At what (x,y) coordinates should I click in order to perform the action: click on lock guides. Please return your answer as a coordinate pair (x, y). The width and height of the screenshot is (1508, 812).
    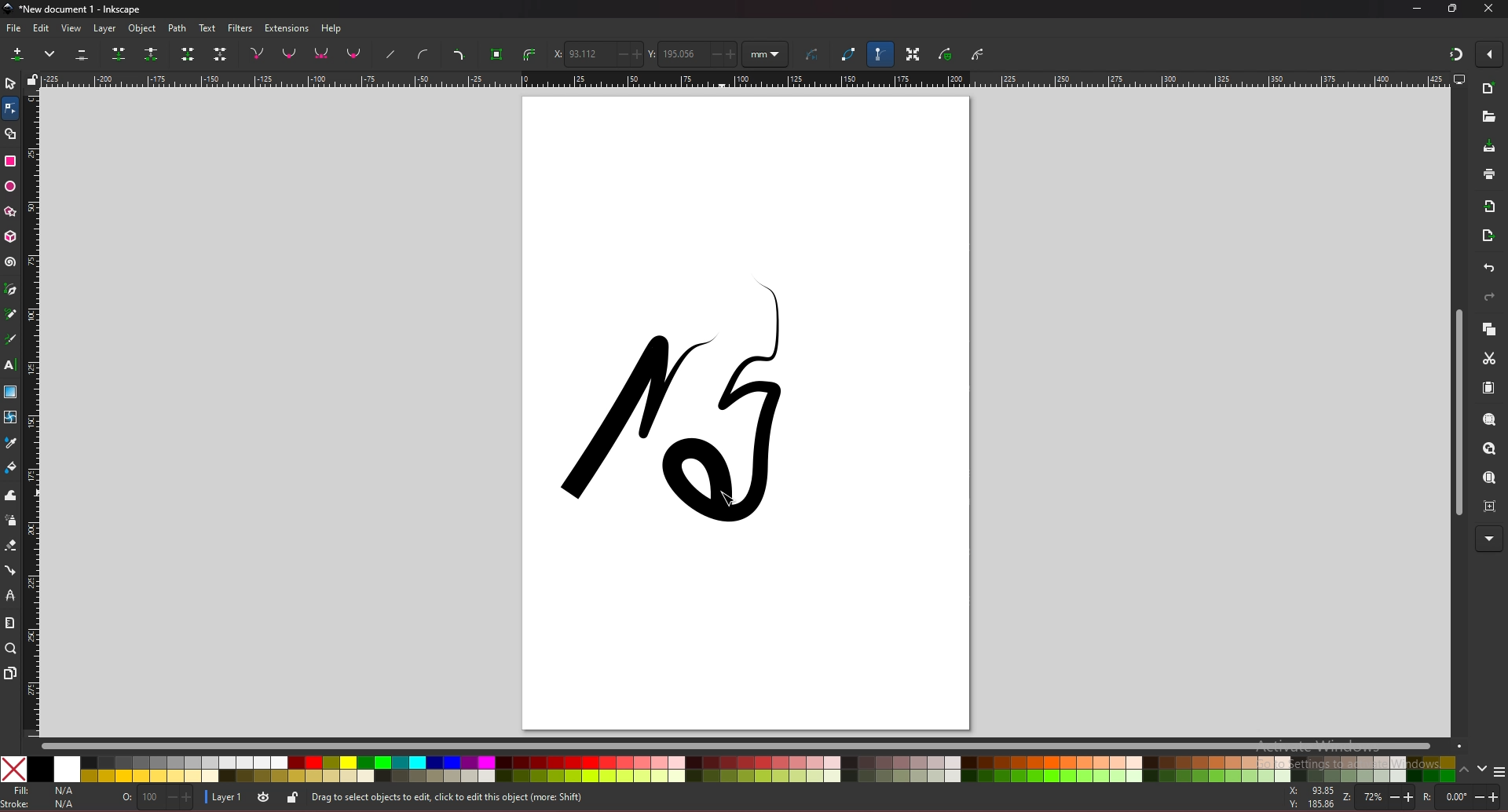
    Looking at the image, I should click on (32, 79).